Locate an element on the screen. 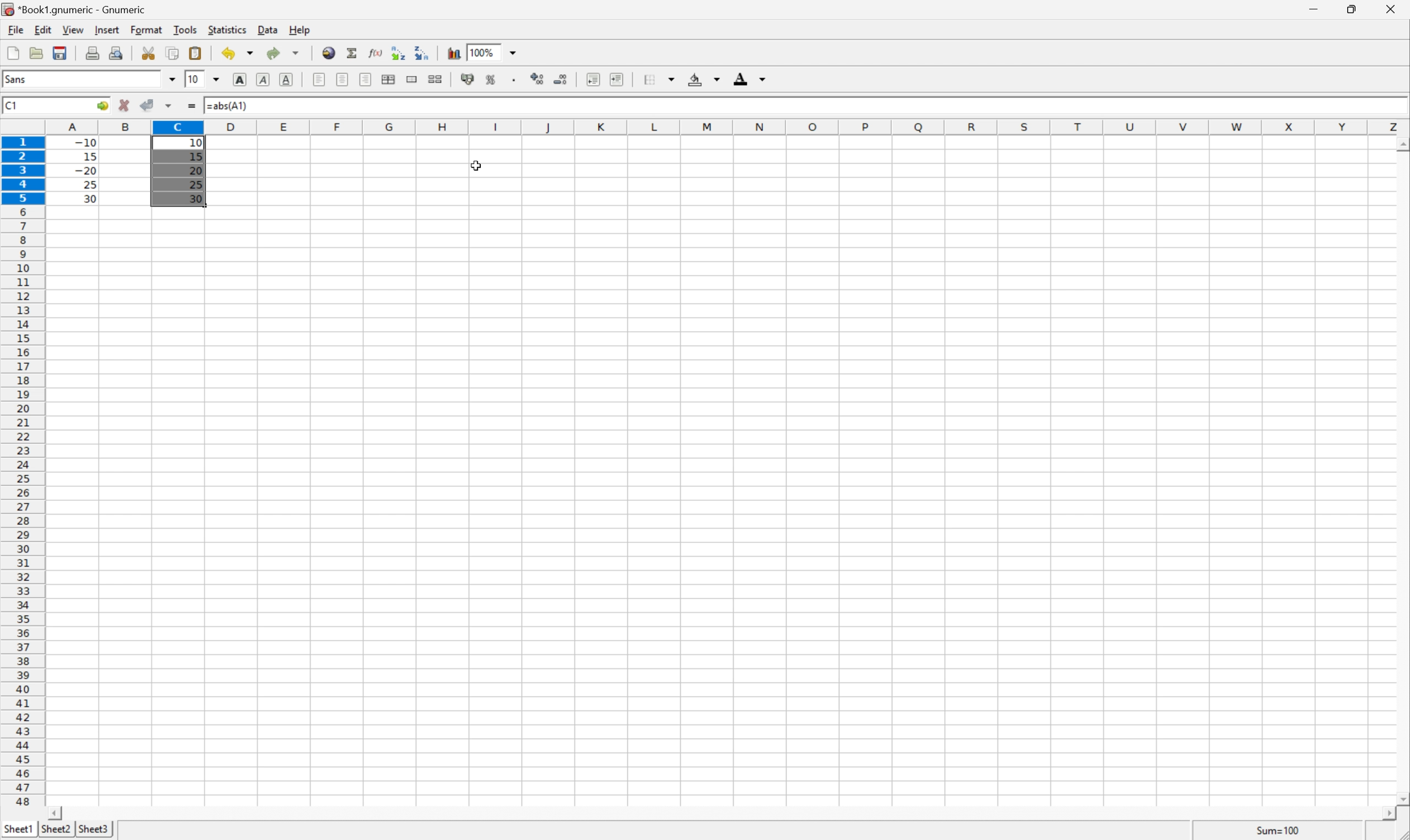  Go to is located at coordinates (101, 106).